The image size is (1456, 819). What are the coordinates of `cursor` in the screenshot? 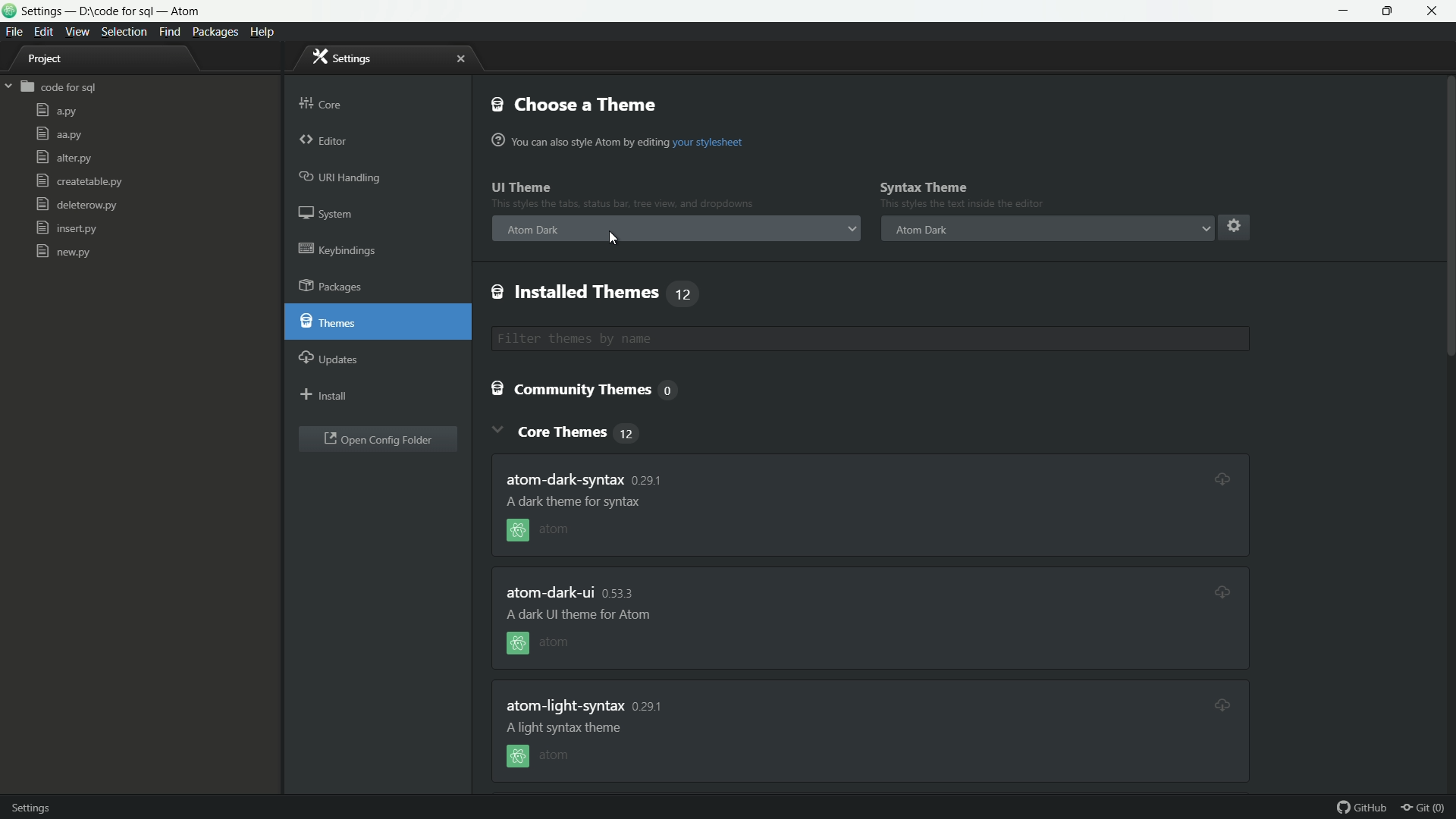 It's located at (613, 240).